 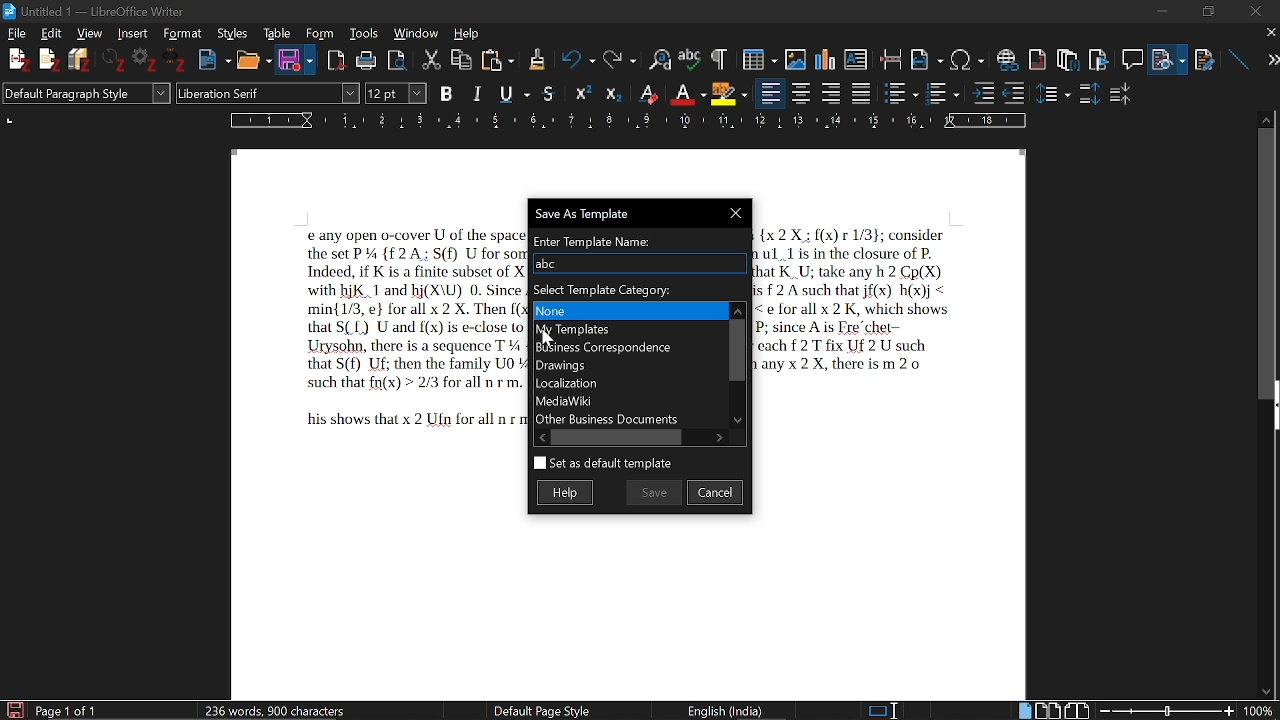 I want to click on Ruler, so click(x=632, y=120).